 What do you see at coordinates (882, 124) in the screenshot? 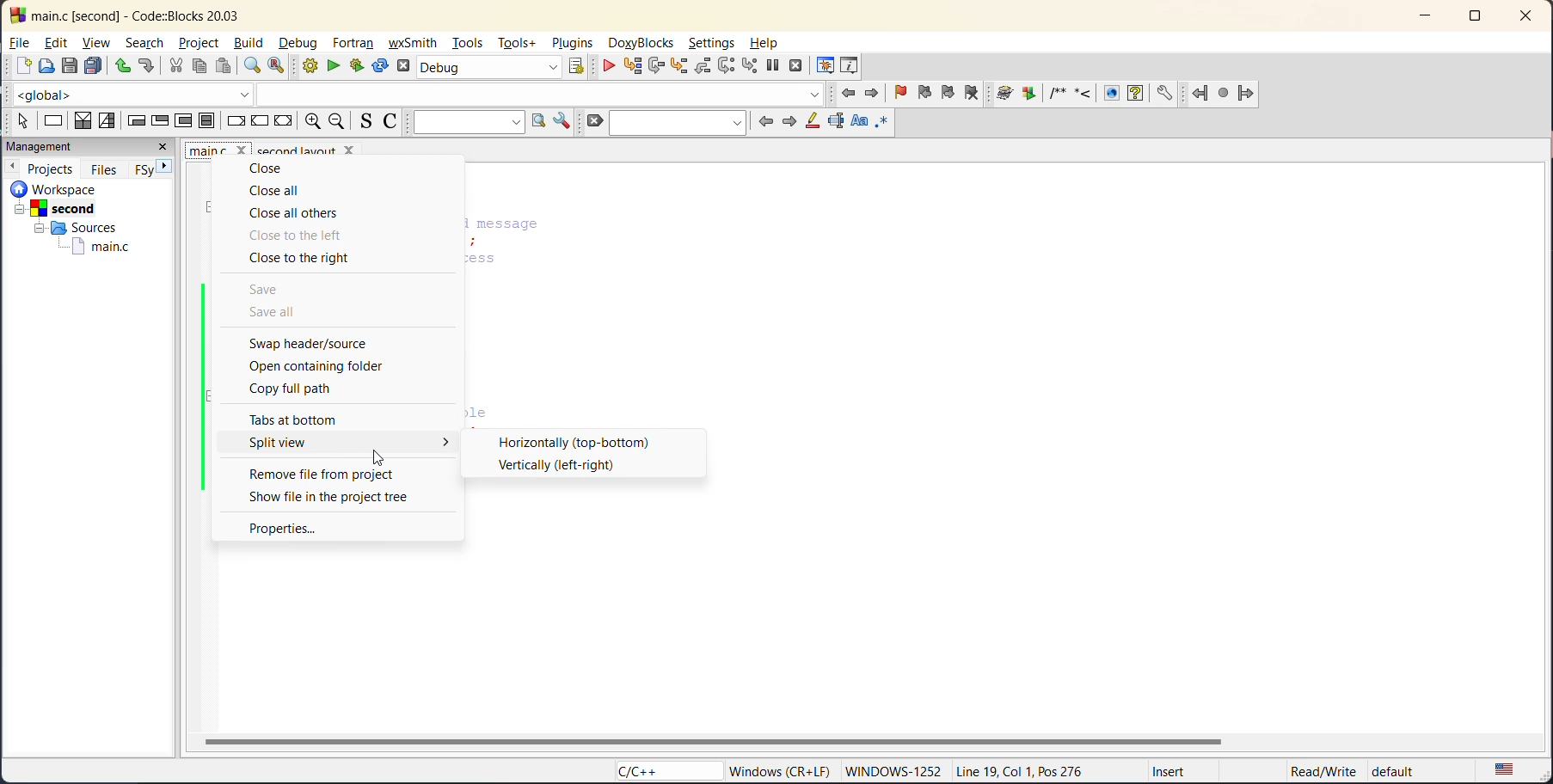
I see `regex` at bounding box center [882, 124].